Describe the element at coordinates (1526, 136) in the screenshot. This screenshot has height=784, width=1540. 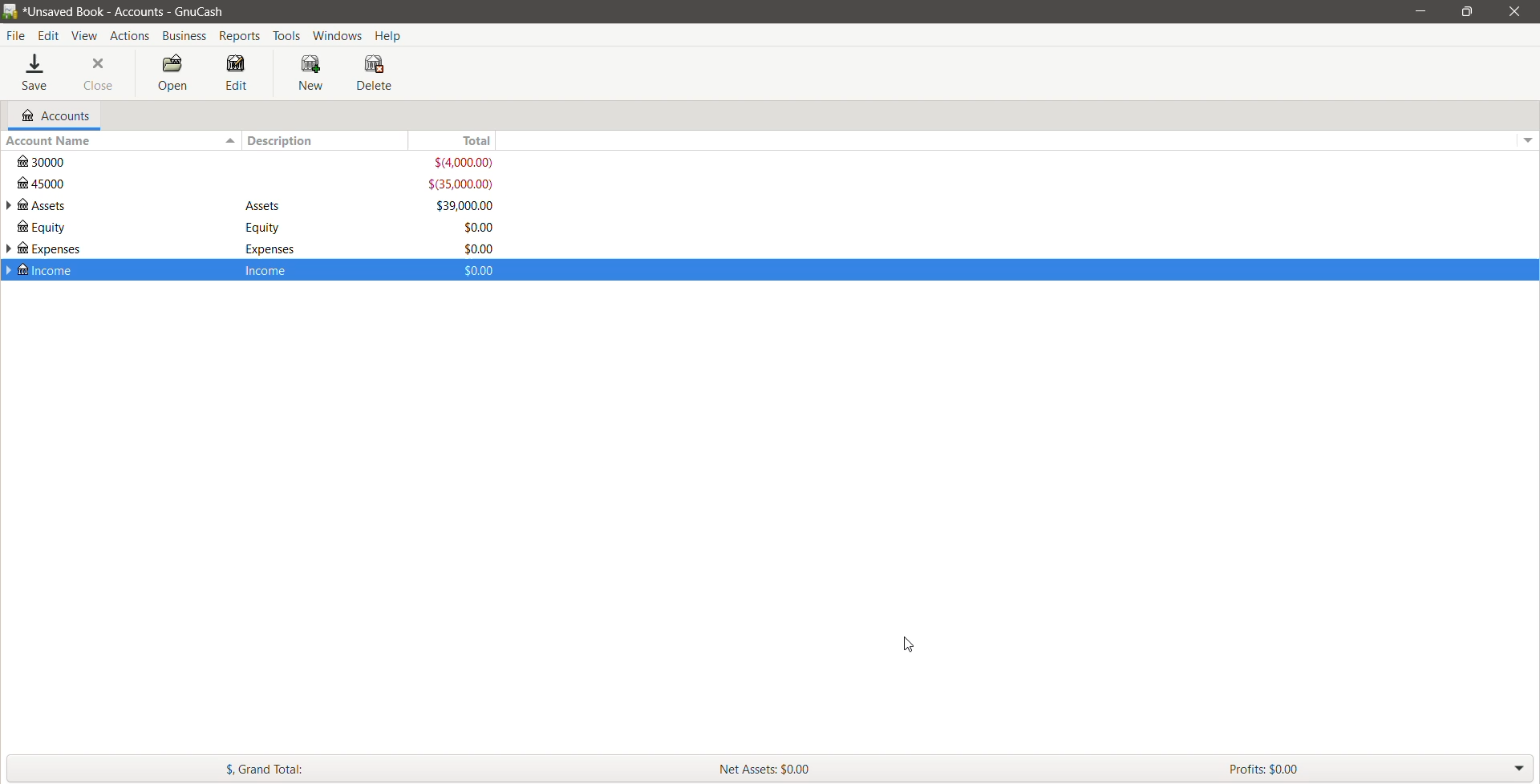
I see `options` at that location.